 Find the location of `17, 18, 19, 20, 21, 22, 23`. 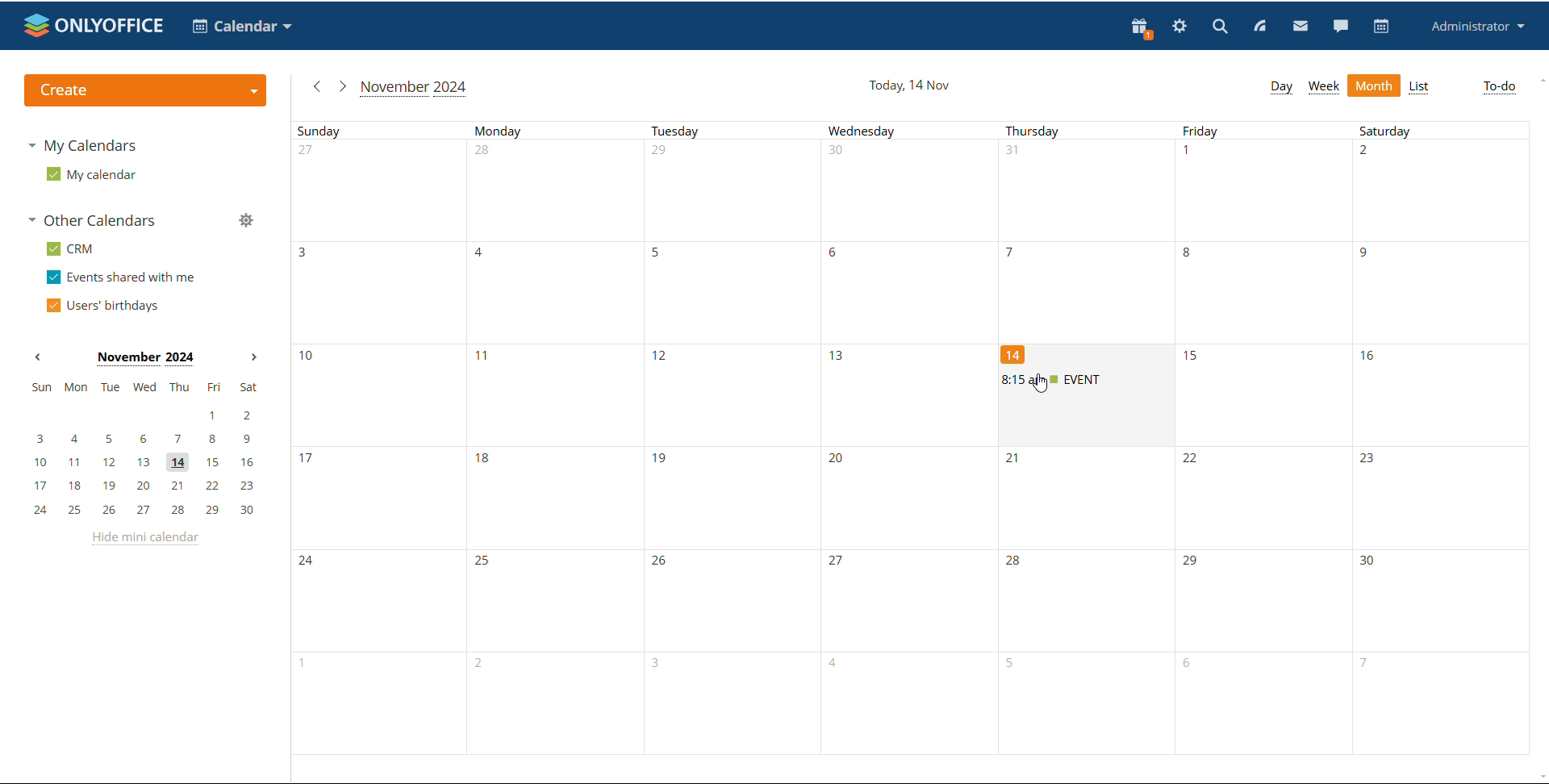

17, 18, 19, 20, 21, 22, 23 is located at coordinates (144, 486).